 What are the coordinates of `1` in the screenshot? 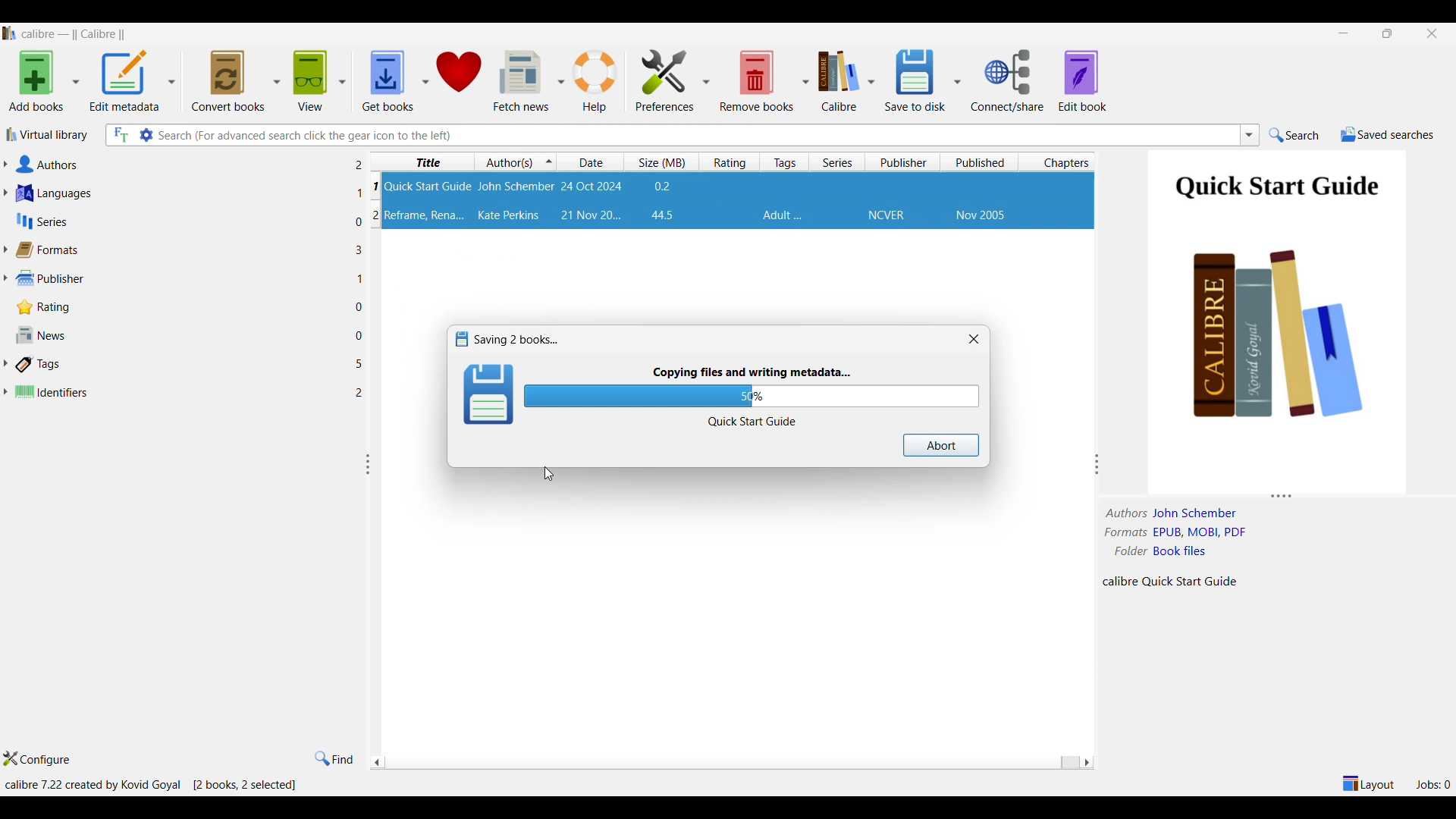 It's located at (356, 193).